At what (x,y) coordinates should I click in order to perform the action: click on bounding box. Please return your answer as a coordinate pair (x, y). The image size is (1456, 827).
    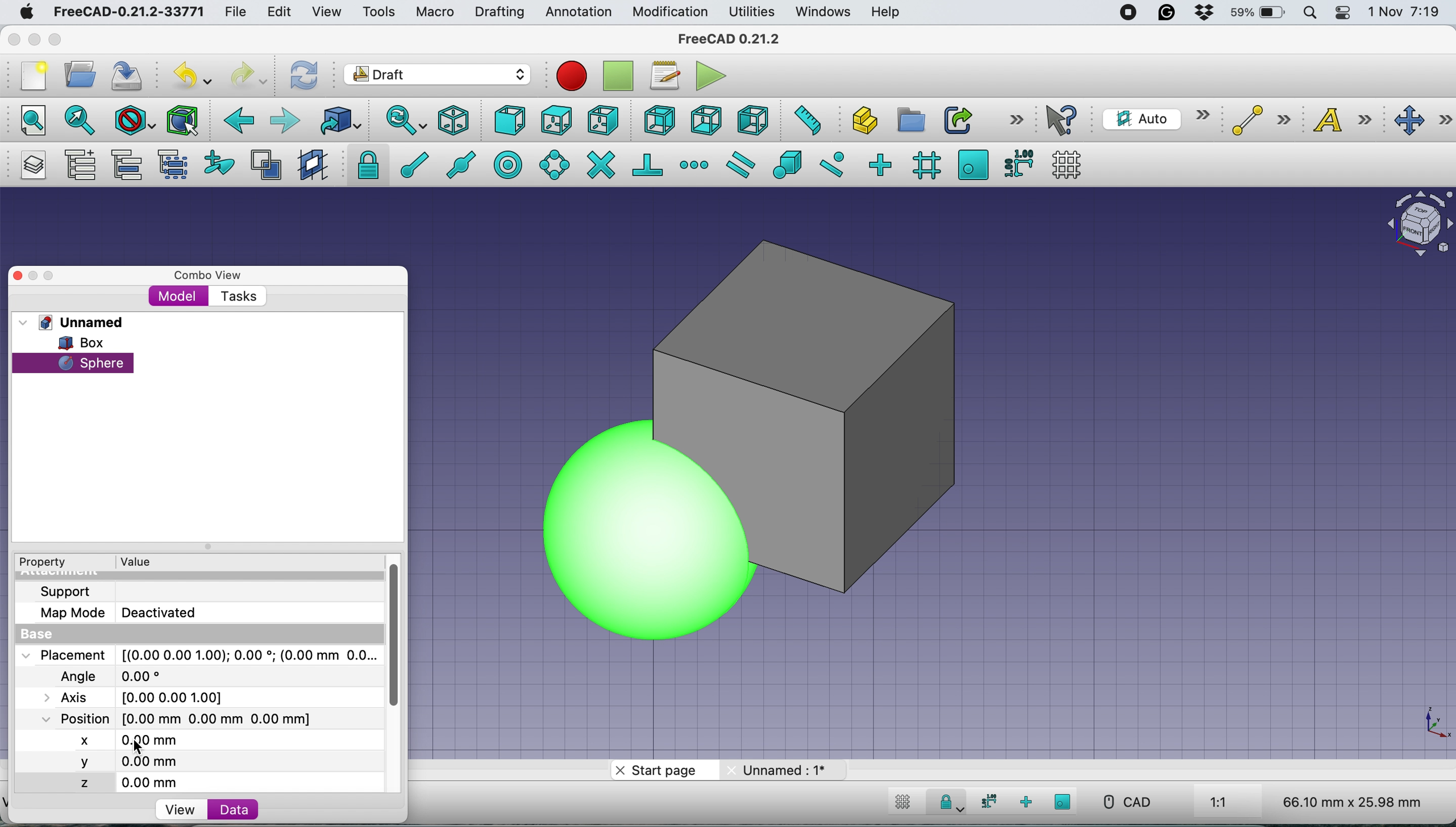
    Looking at the image, I should click on (181, 120).